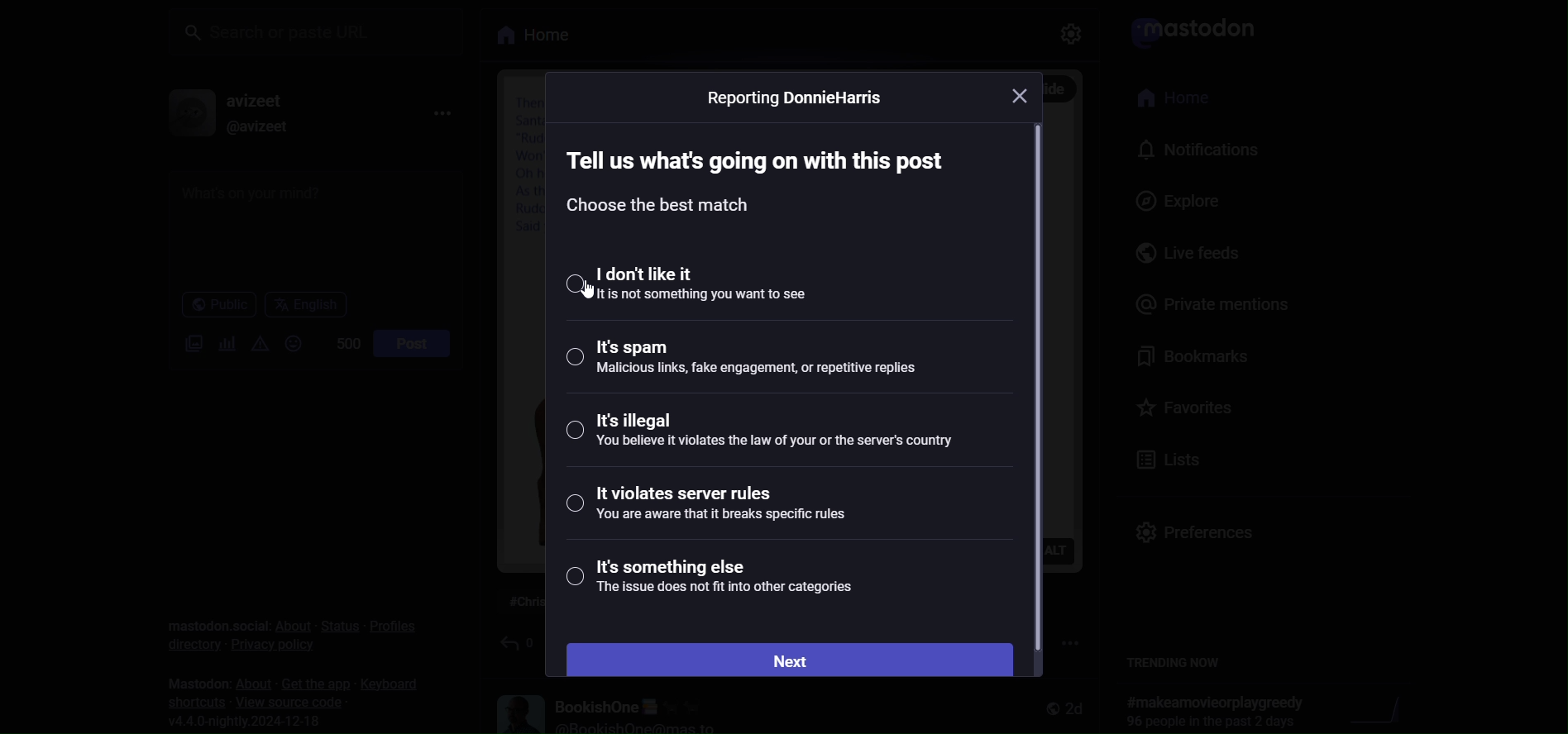  Describe the element at coordinates (253, 126) in the screenshot. I see `@avizeet` at that location.